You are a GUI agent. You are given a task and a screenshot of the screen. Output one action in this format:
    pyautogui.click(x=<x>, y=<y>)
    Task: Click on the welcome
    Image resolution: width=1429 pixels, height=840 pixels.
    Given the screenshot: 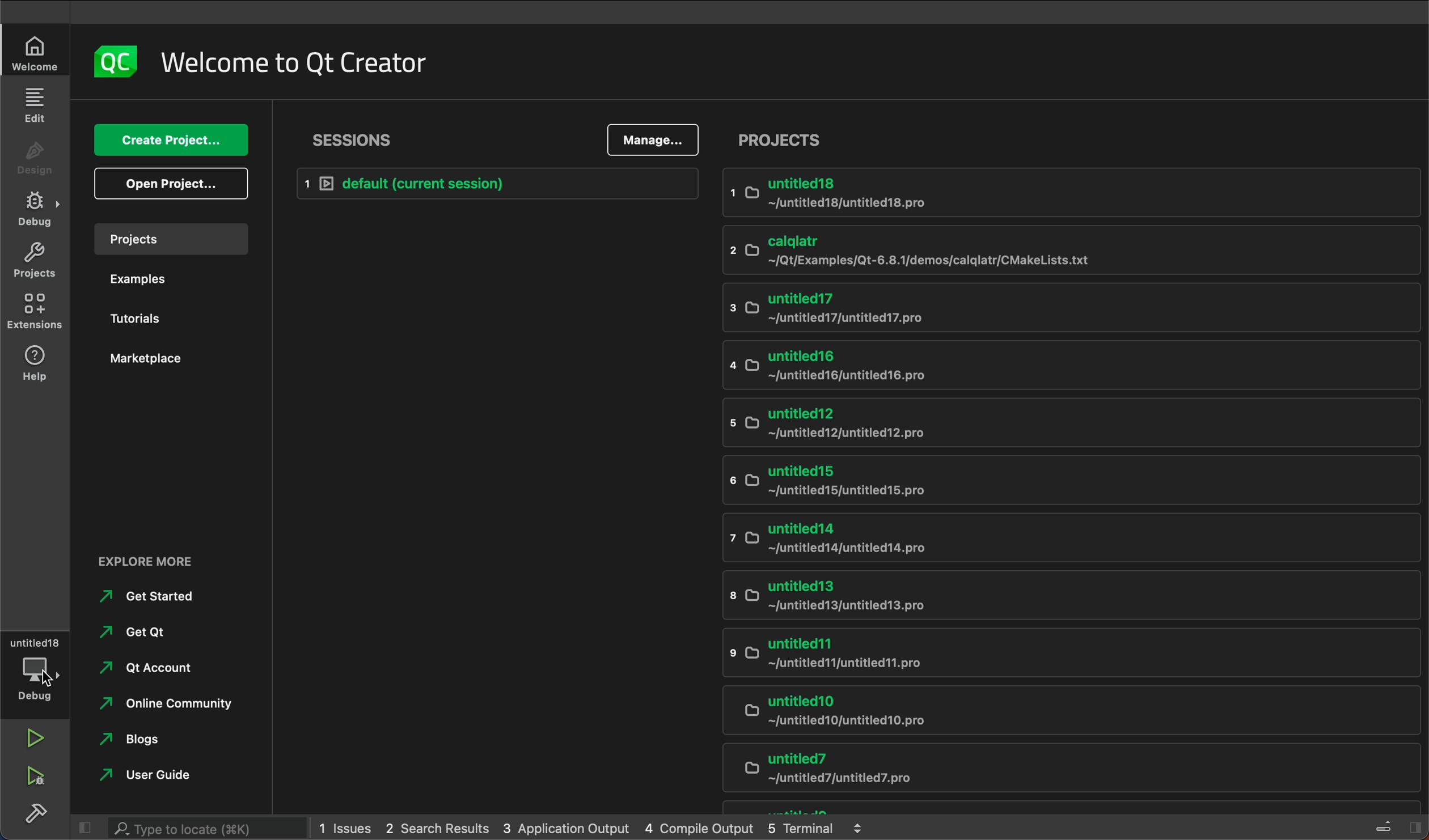 What is the action you would take?
    pyautogui.click(x=32, y=53)
    